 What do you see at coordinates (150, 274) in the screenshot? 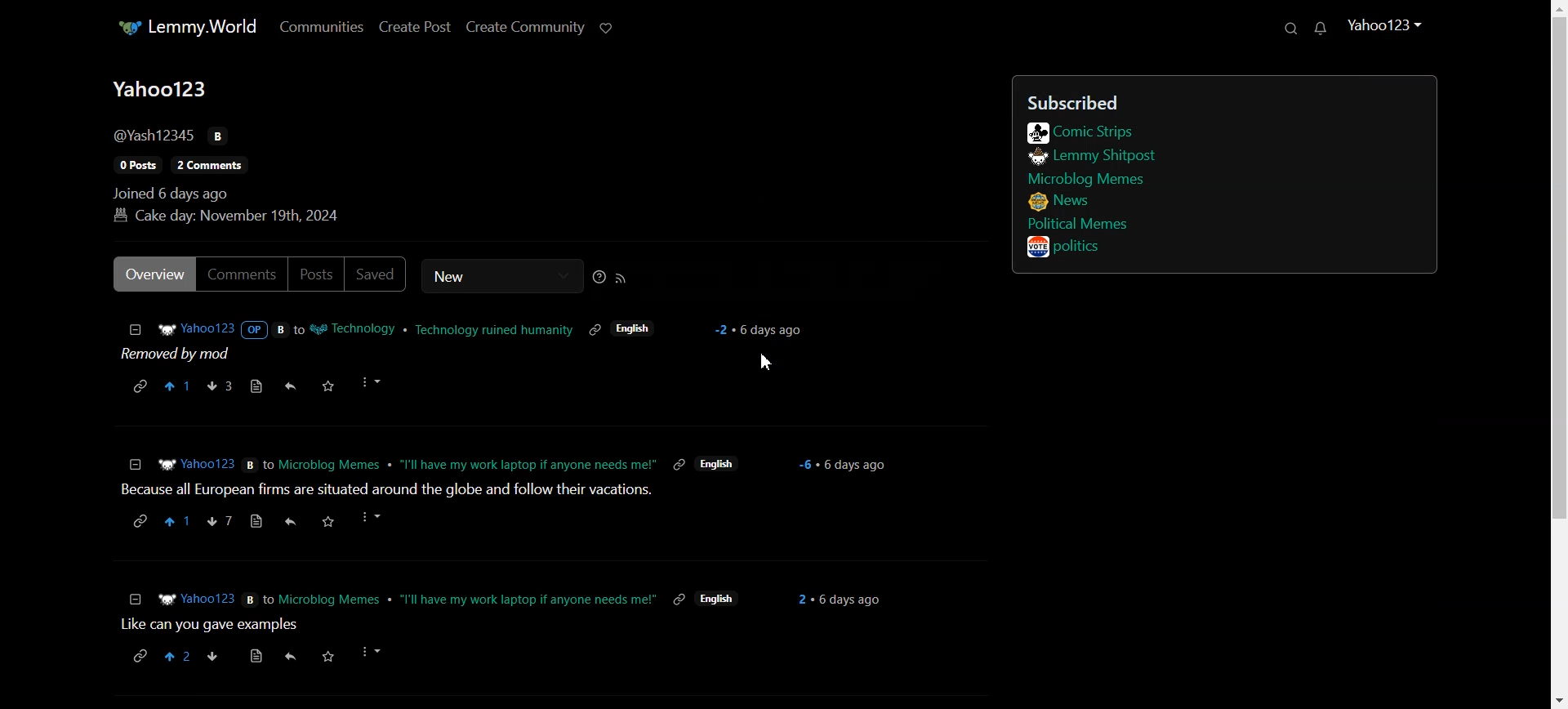
I see `Overview` at bounding box center [150, 274].